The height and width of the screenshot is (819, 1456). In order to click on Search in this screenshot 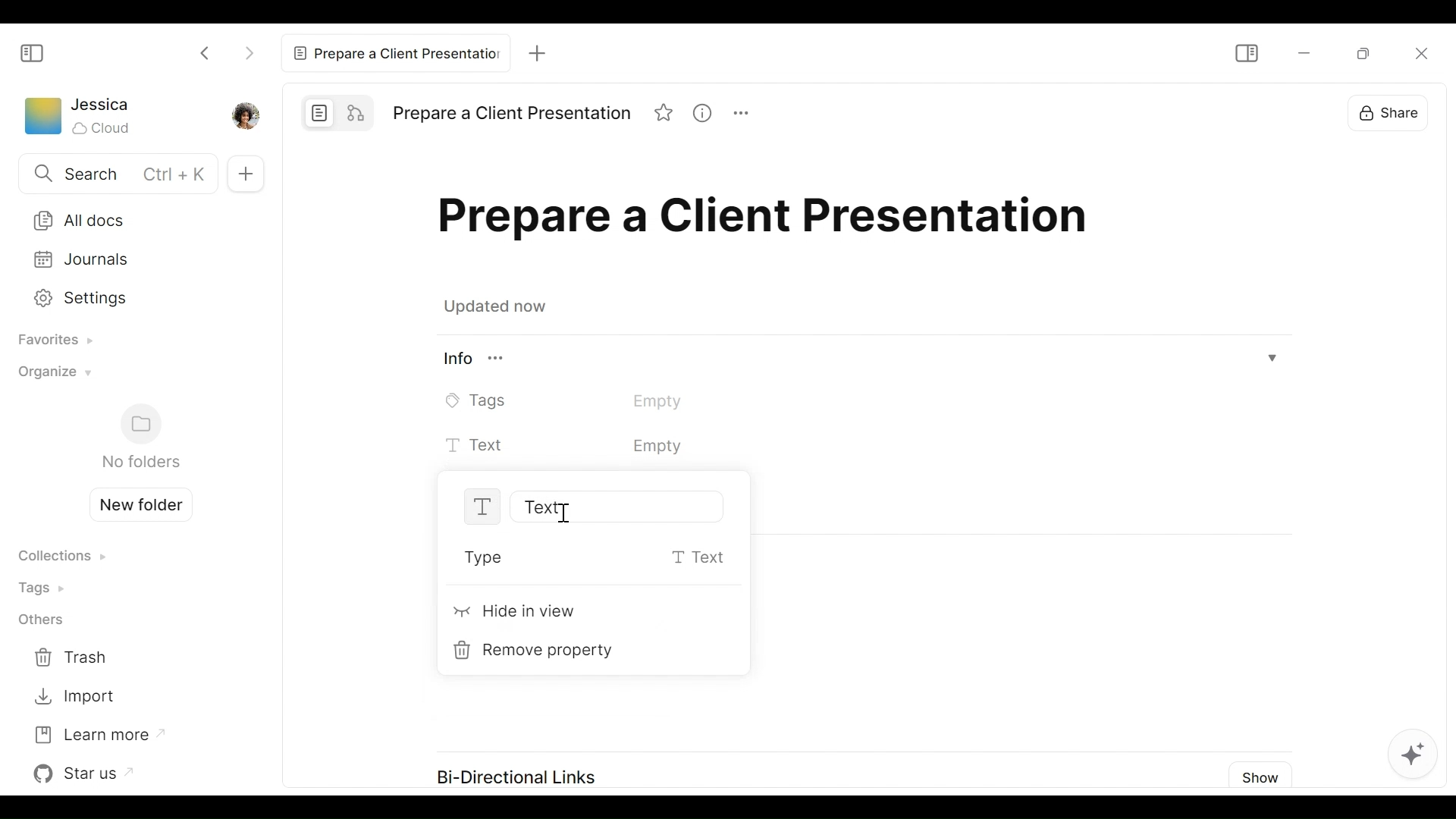, I will do `click(115, 175)`.